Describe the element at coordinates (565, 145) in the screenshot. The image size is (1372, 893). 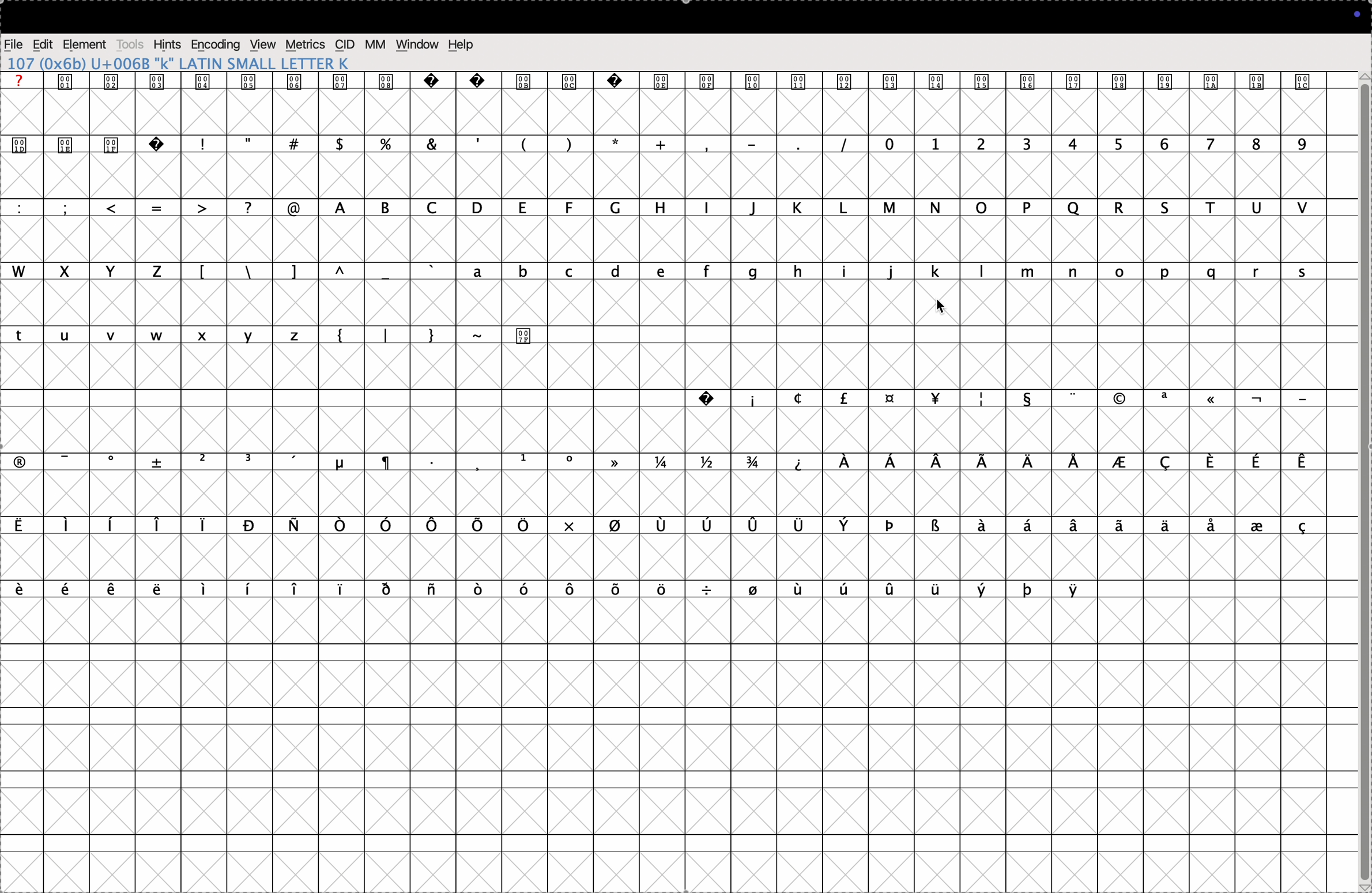
I see `)` at that location.